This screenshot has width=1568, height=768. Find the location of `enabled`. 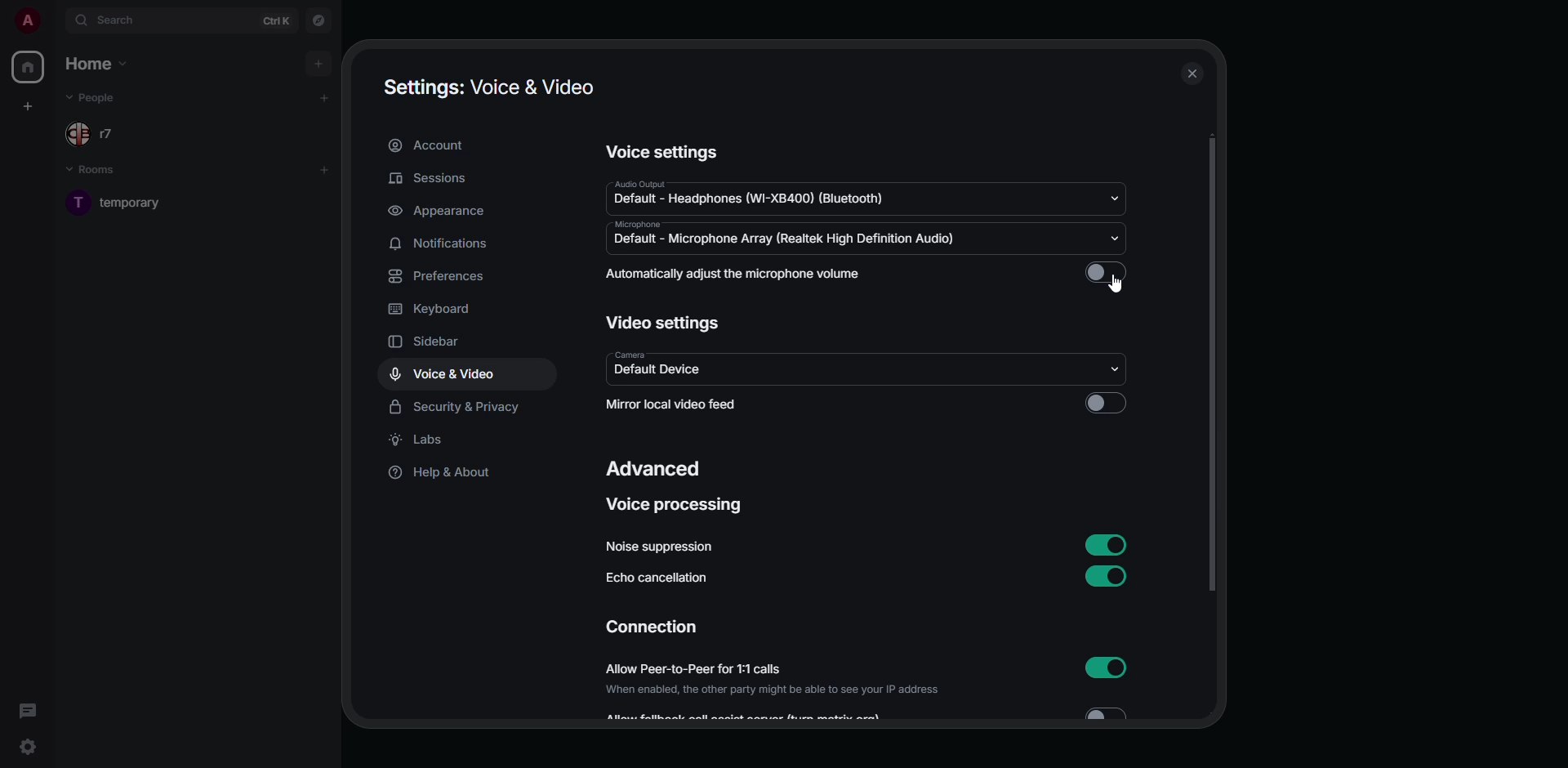

enabled is located at coordinates (1103, 543).